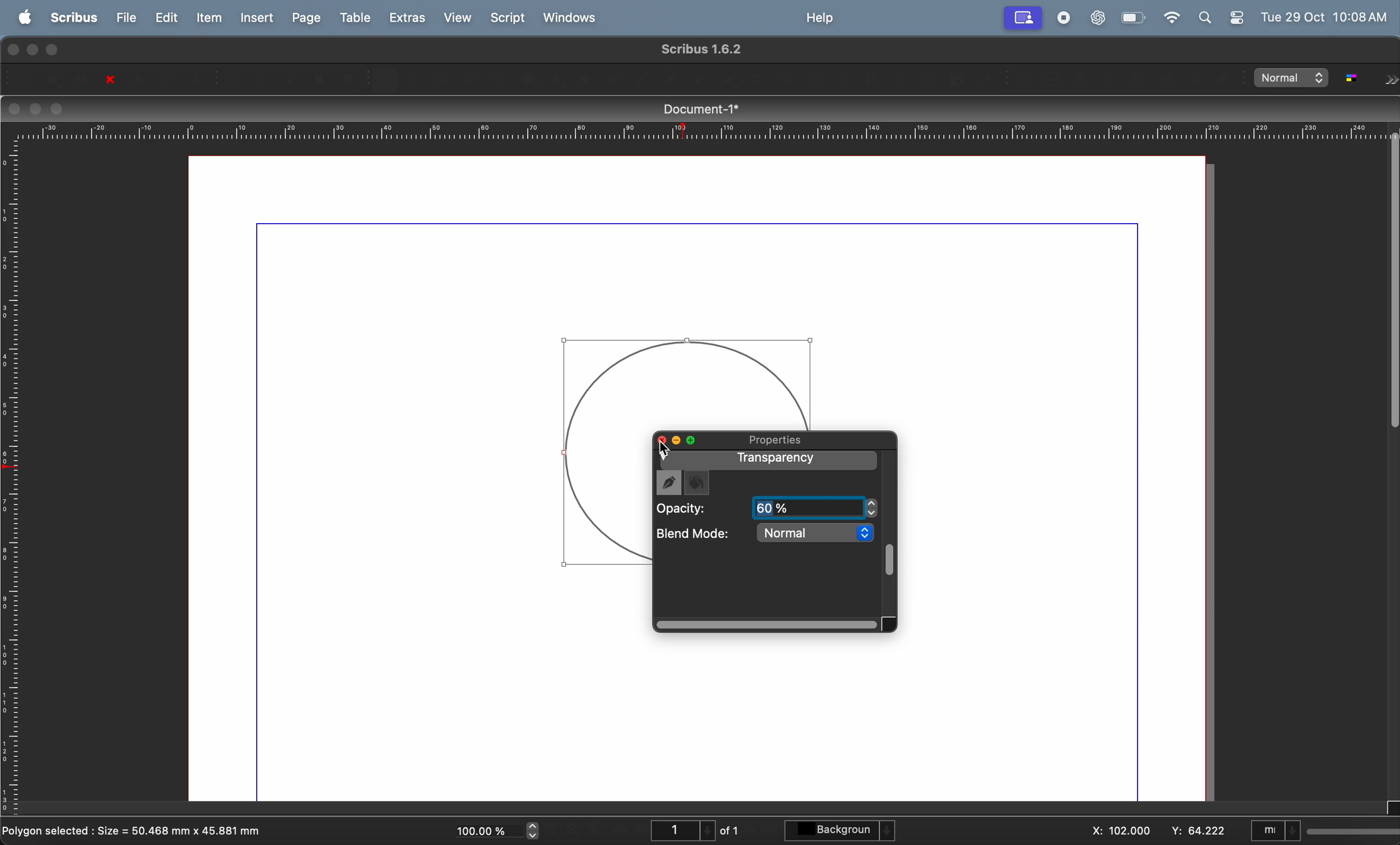 Image resolution: width=1400 pixels, height=845 pixels. Describe the element at coordinates (669, 482) in the screenshot. I see `draw` at that location.